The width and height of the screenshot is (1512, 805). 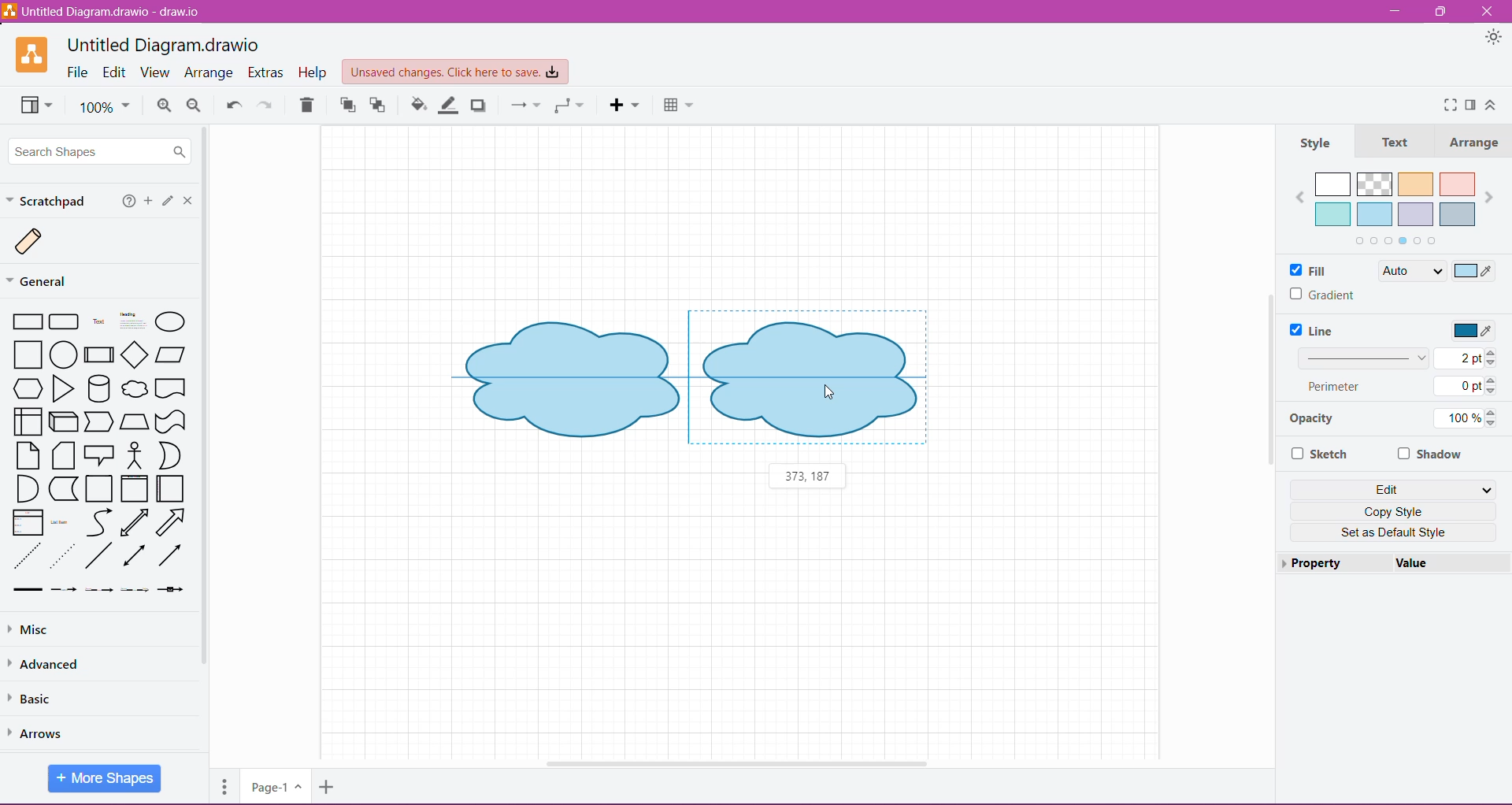 I want to click on Edit, so click(x=1393, y=489).